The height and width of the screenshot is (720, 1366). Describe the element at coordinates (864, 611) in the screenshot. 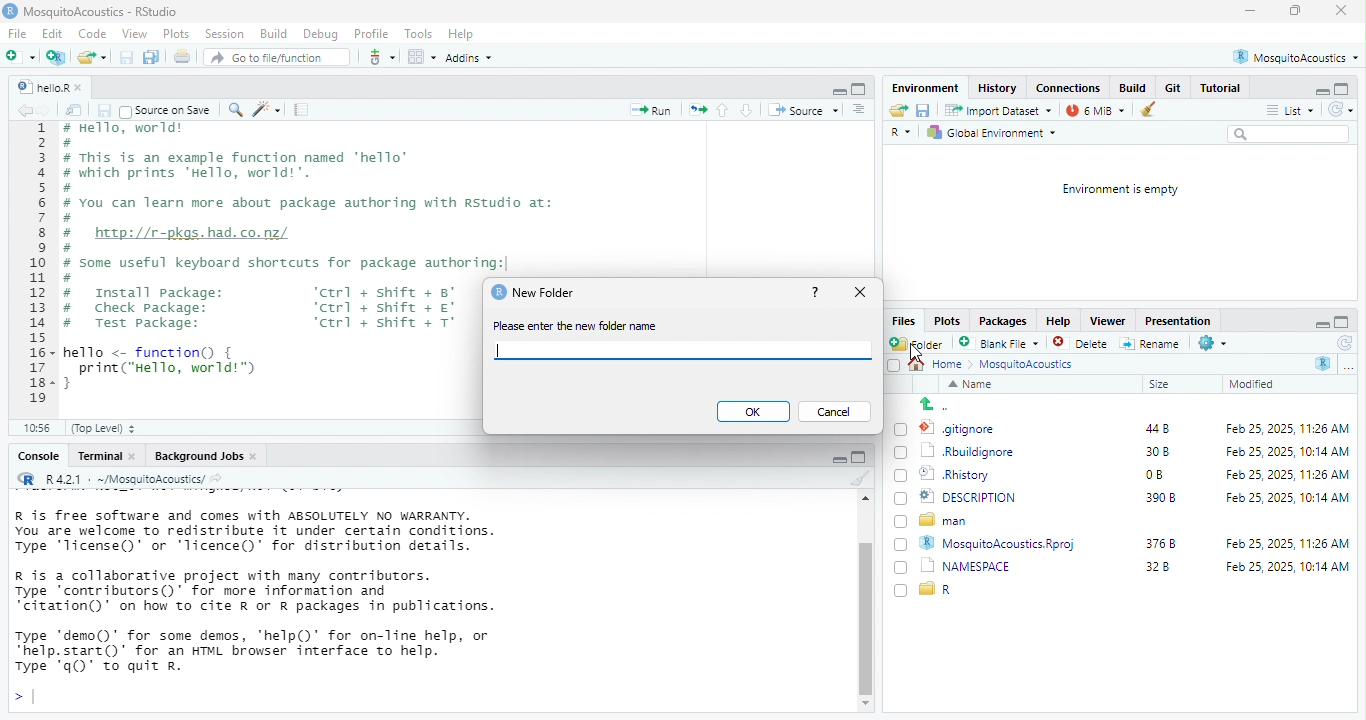

I see `vertical scroll bar` at that location.